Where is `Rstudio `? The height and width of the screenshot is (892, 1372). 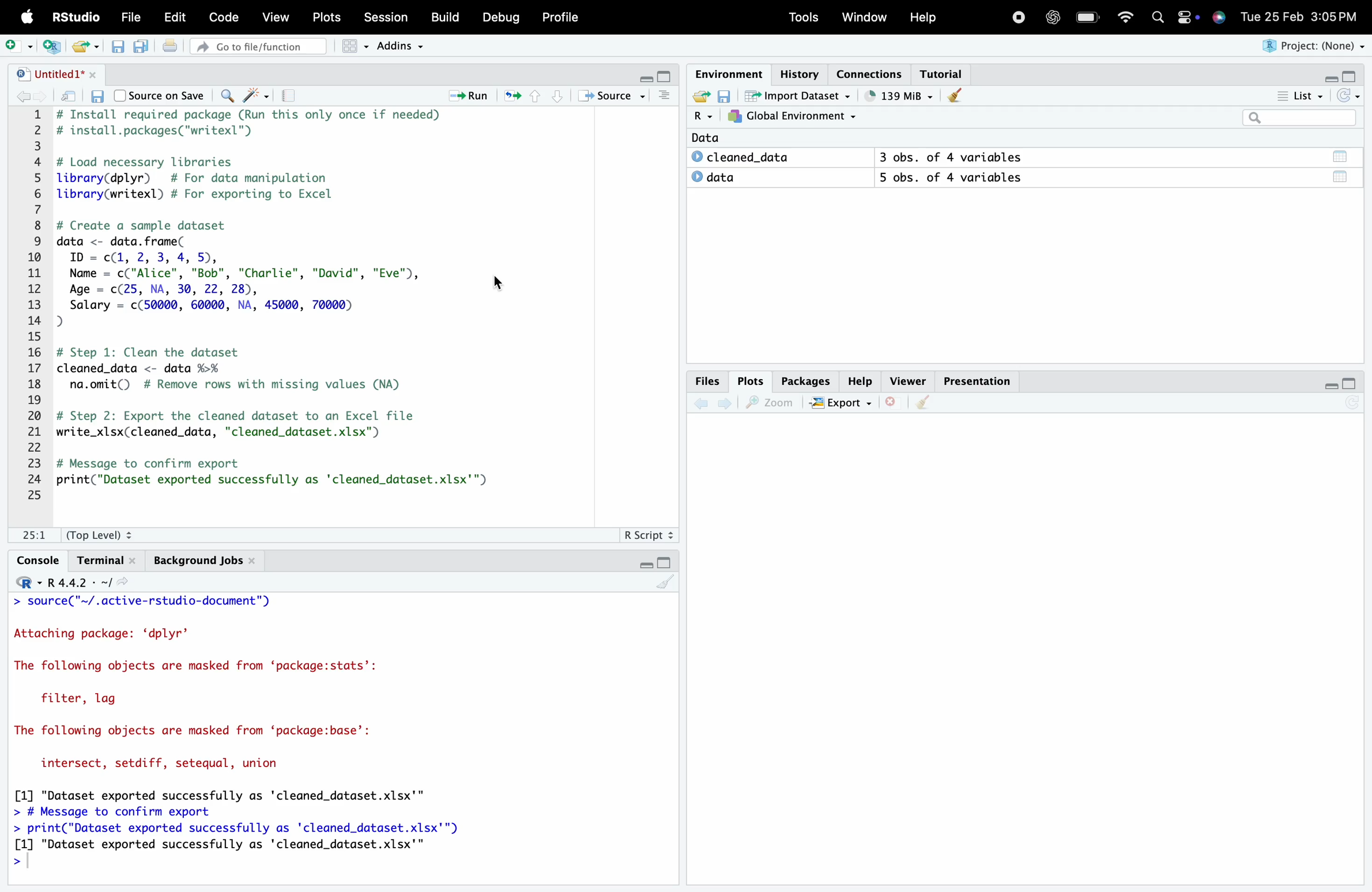
Rstudio  is located at coordinates (28, 582).